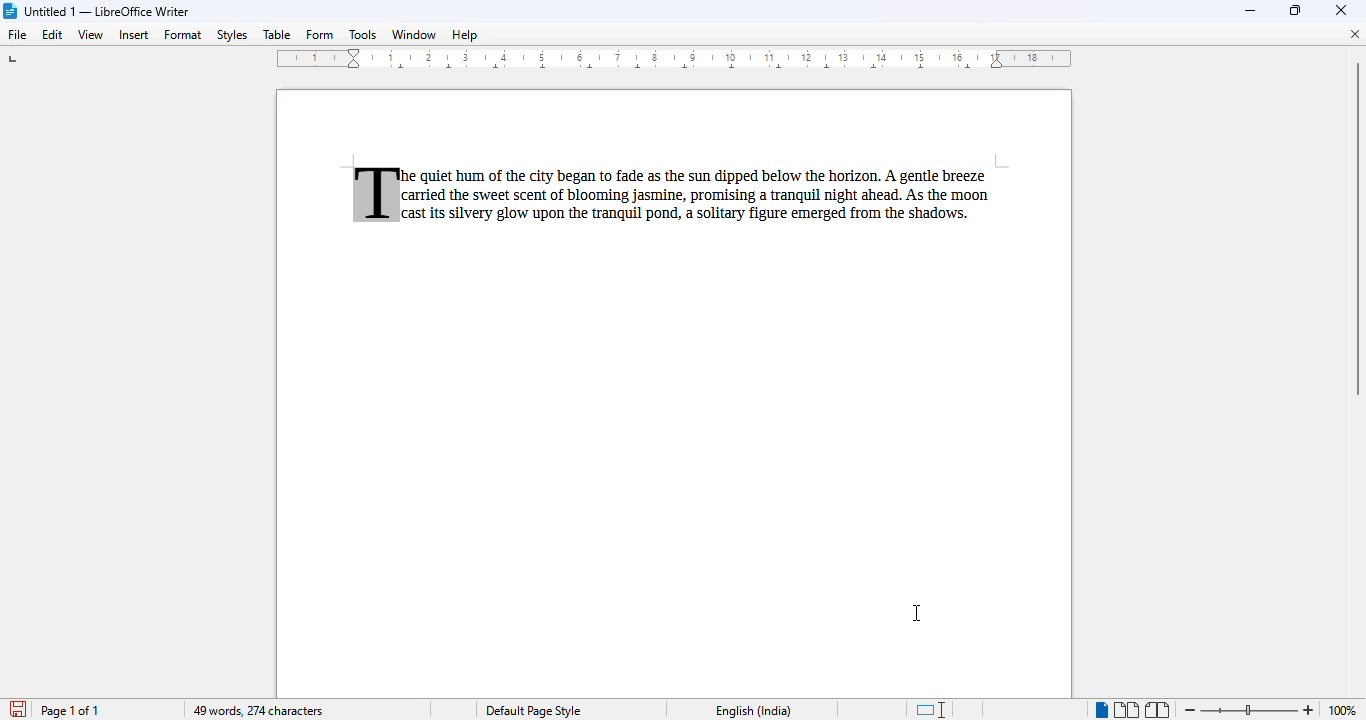  What do you see at coordinates (52, 34) in the screenshot?
I see `edit` at bounding box center [52, 34].